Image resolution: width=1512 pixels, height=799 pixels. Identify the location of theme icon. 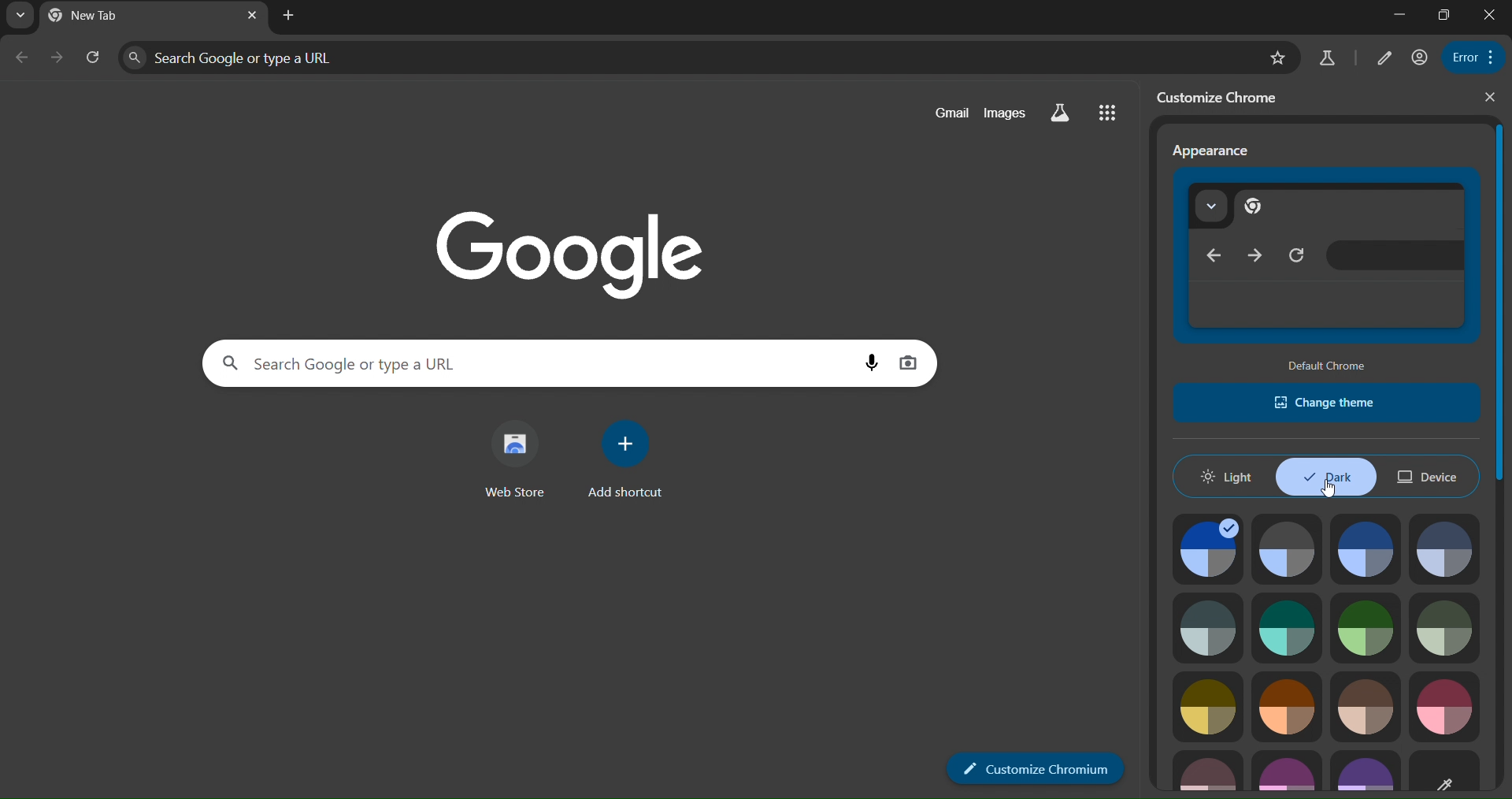
(1206, 628).